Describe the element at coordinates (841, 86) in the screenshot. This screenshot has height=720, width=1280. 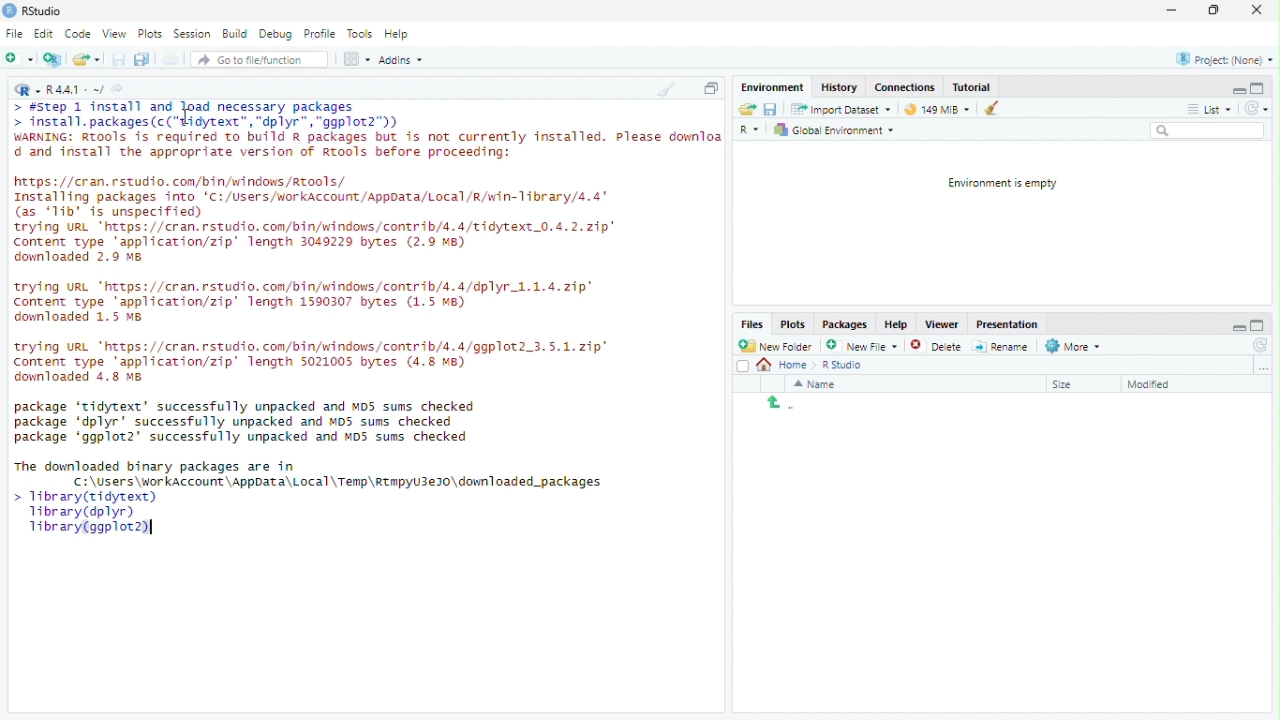
I see `History` at that location.